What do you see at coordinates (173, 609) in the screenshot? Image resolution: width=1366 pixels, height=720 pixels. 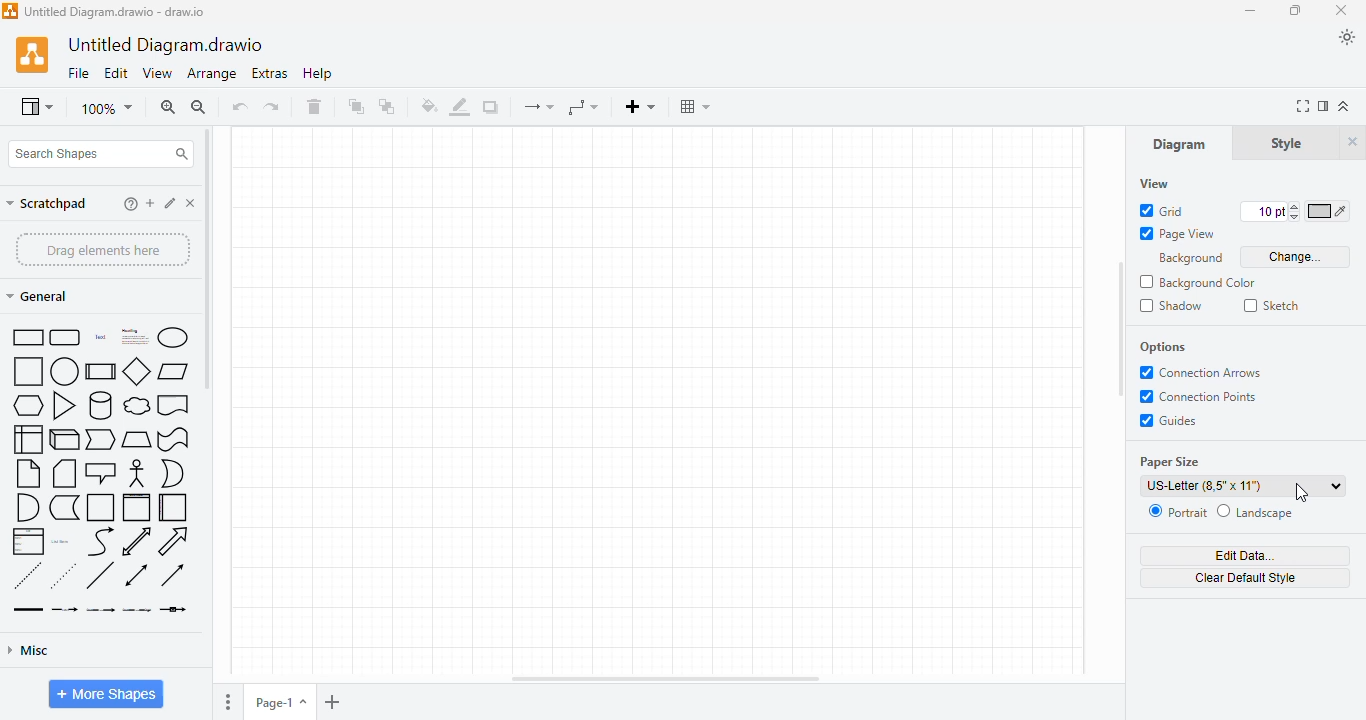 I see `connector with symbol` at bounding box center [173, 609].